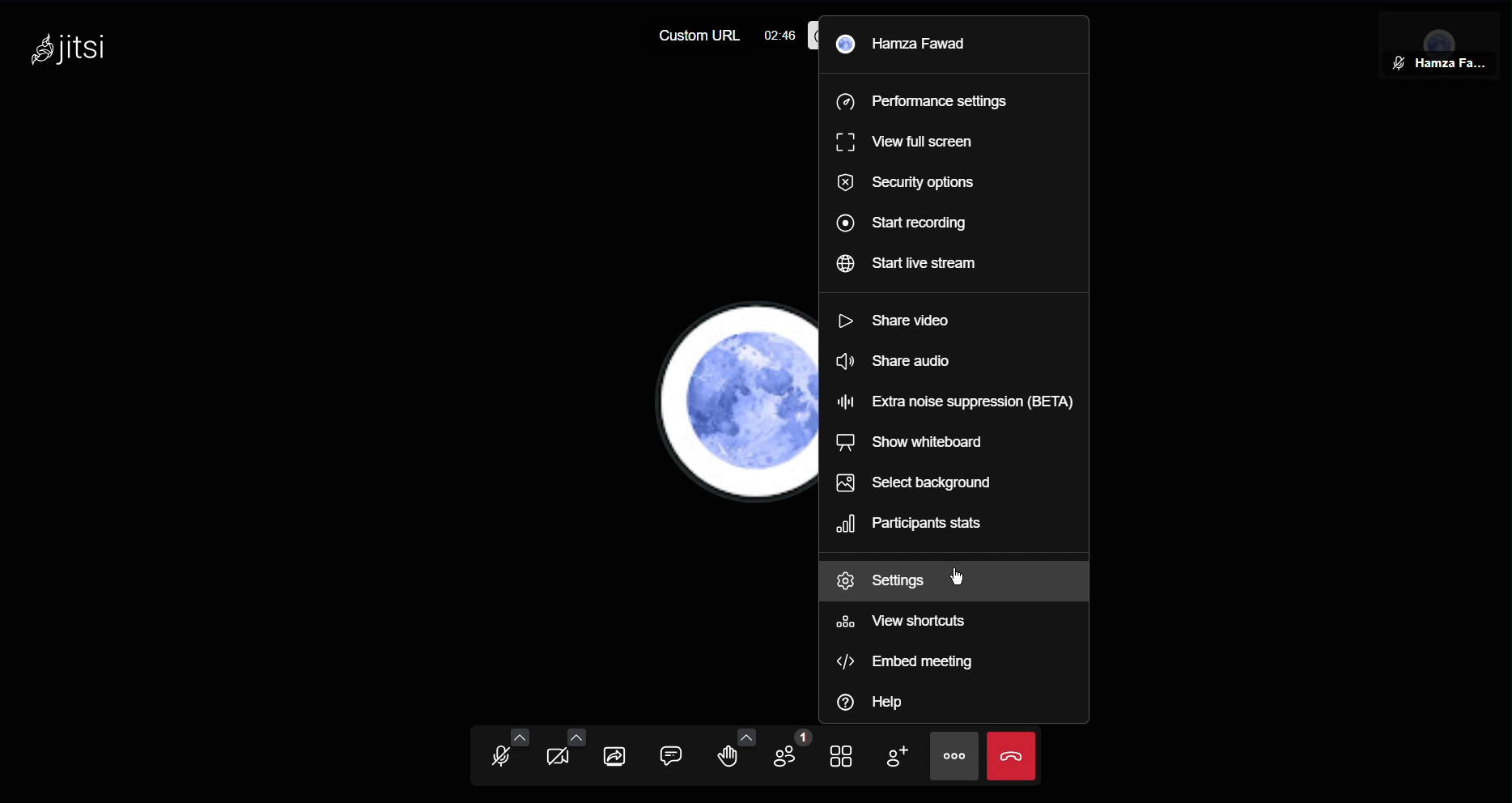 This screenshot has height=803, width=1512. What do you see at coordinates (736, 755) in the screenshot?
I see `Raise Hand` at bounding box center [736, 755].